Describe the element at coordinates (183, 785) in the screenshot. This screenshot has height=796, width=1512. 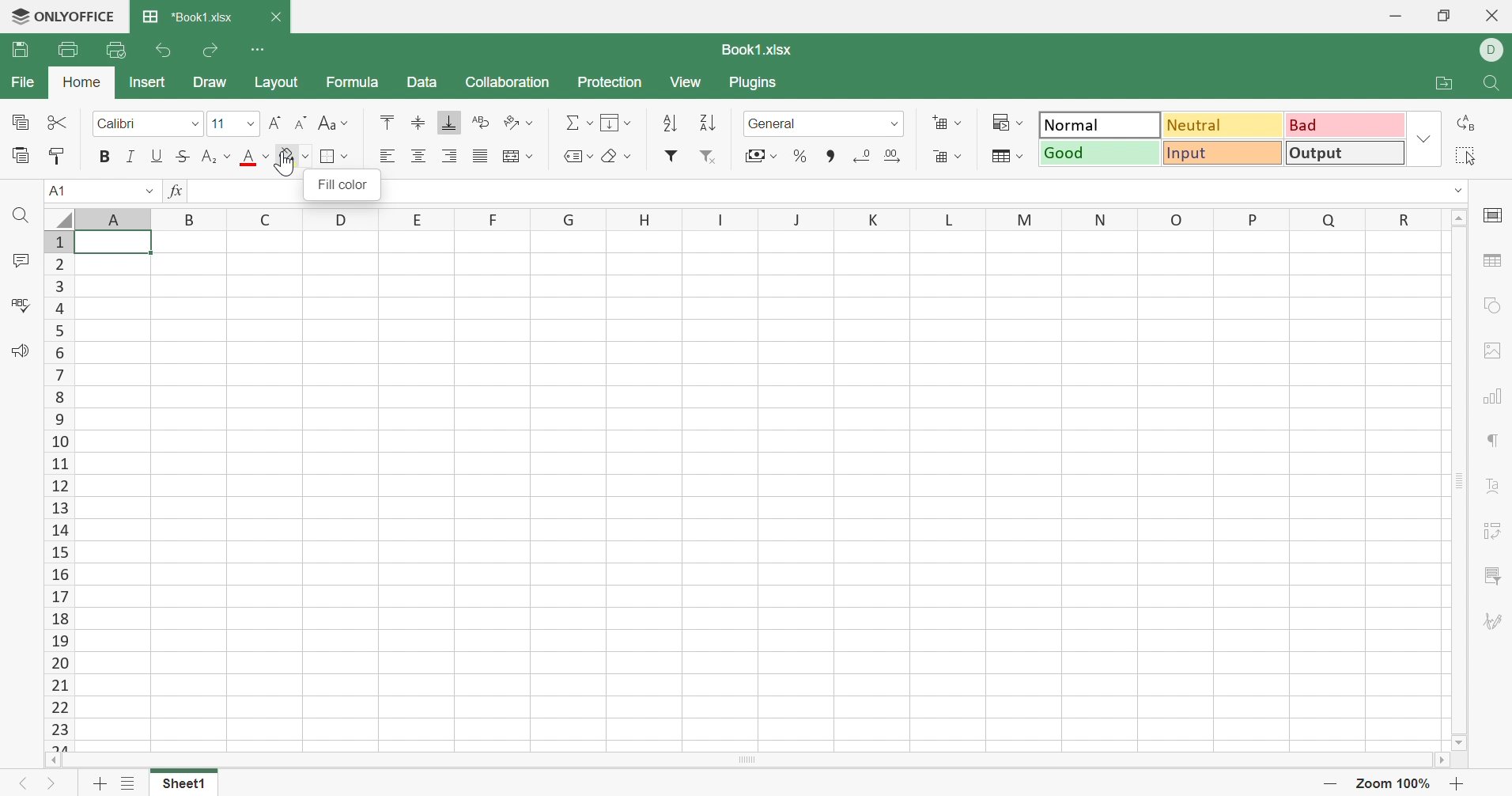
I see `Select1` at that location.